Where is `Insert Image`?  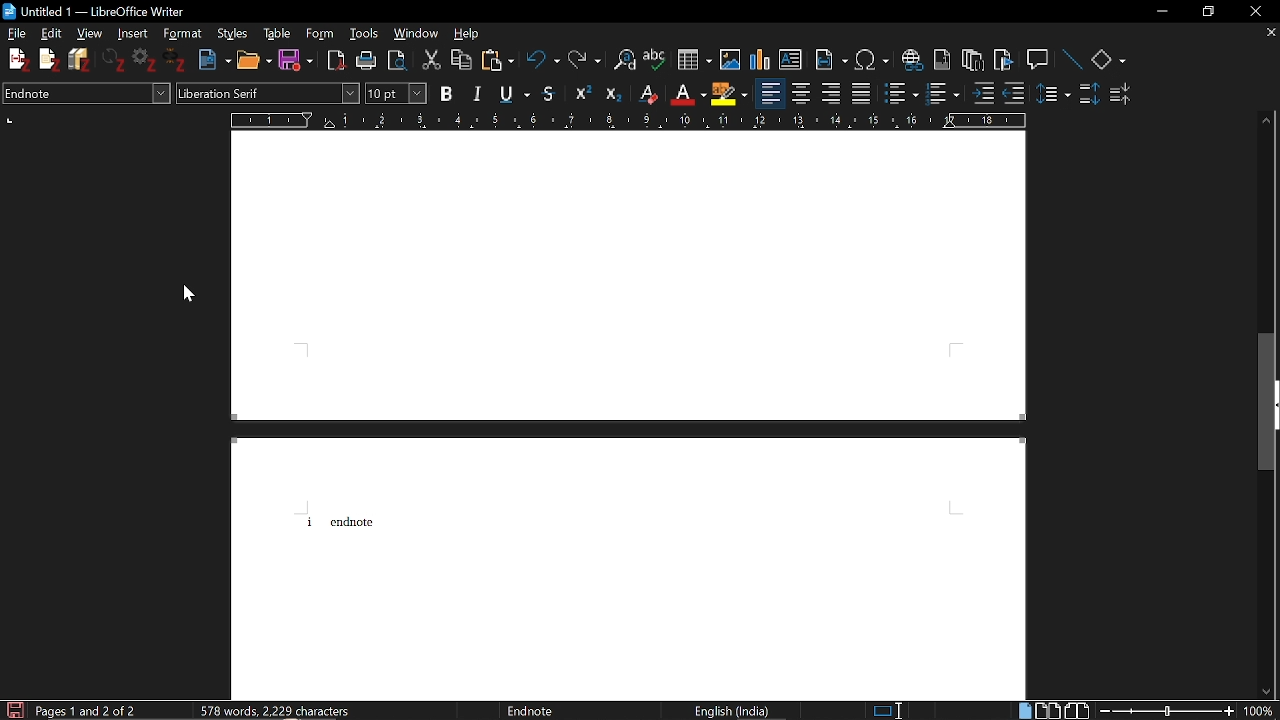
Insert Image is located at coordinates (730, 60).